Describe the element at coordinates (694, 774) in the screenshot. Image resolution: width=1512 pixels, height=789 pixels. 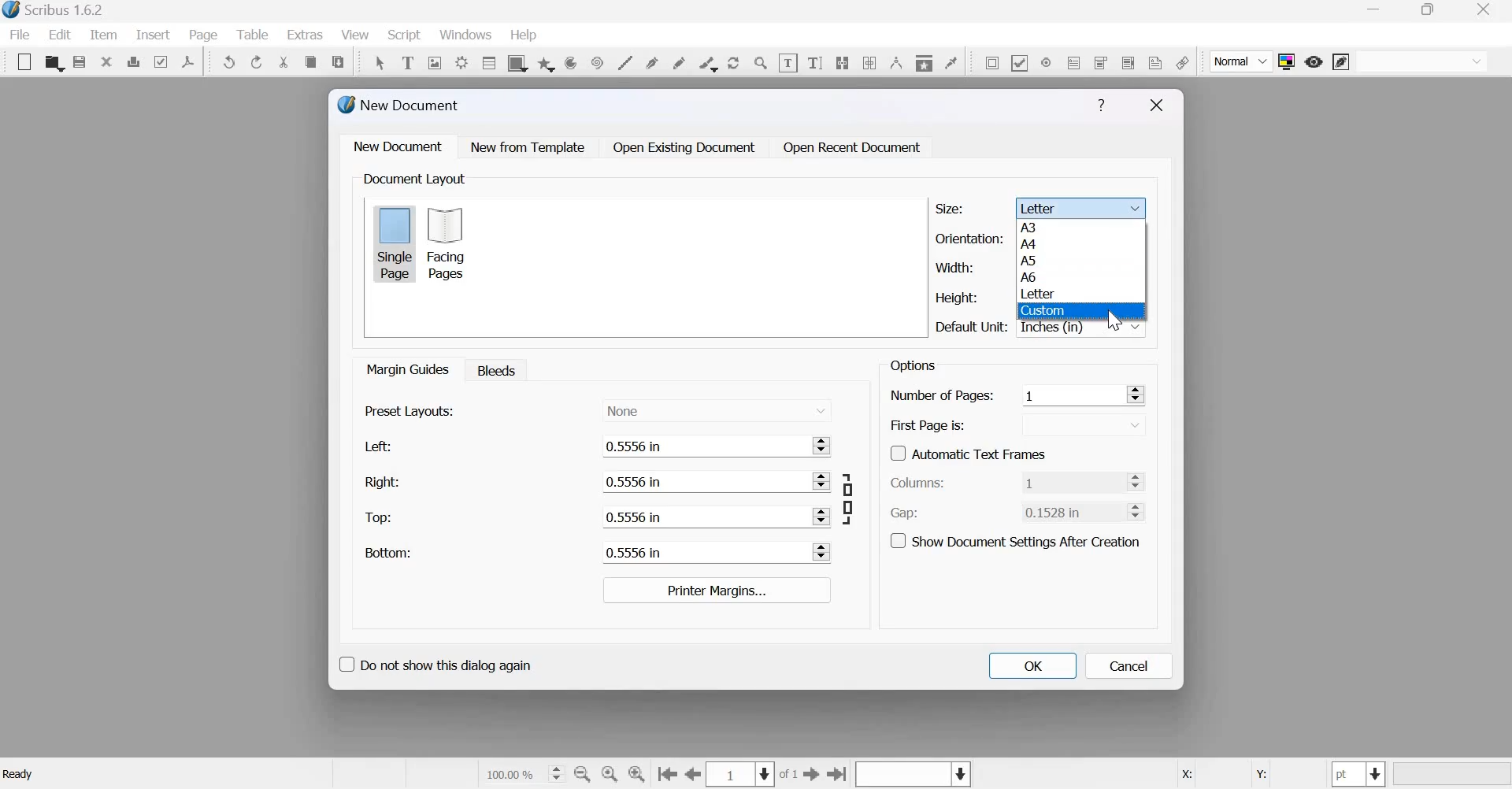
I see `go to the previous page` at that location.